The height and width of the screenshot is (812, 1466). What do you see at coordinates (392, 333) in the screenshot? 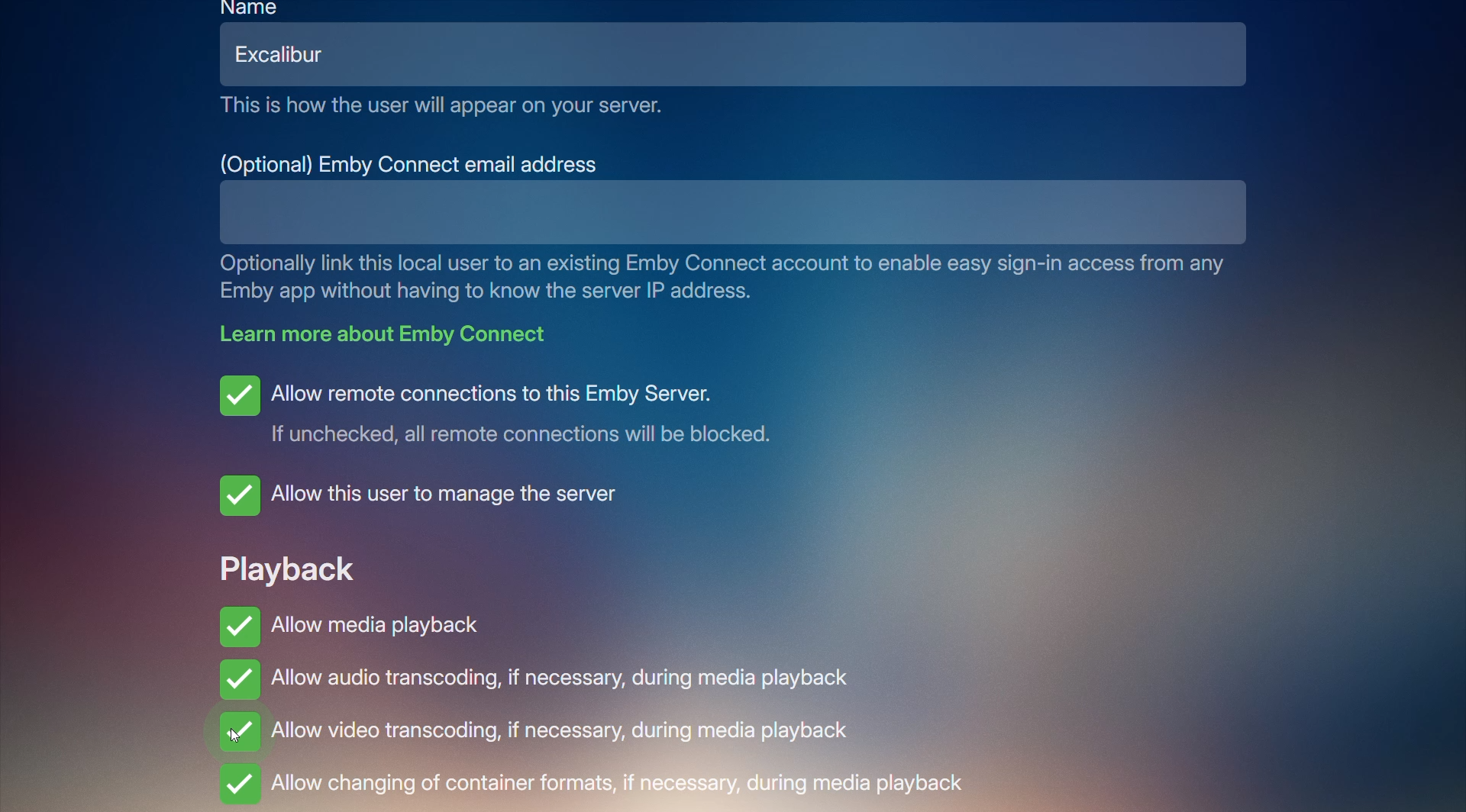
I see `Learn more about Emby Connect` at bounding box center [392, 333].